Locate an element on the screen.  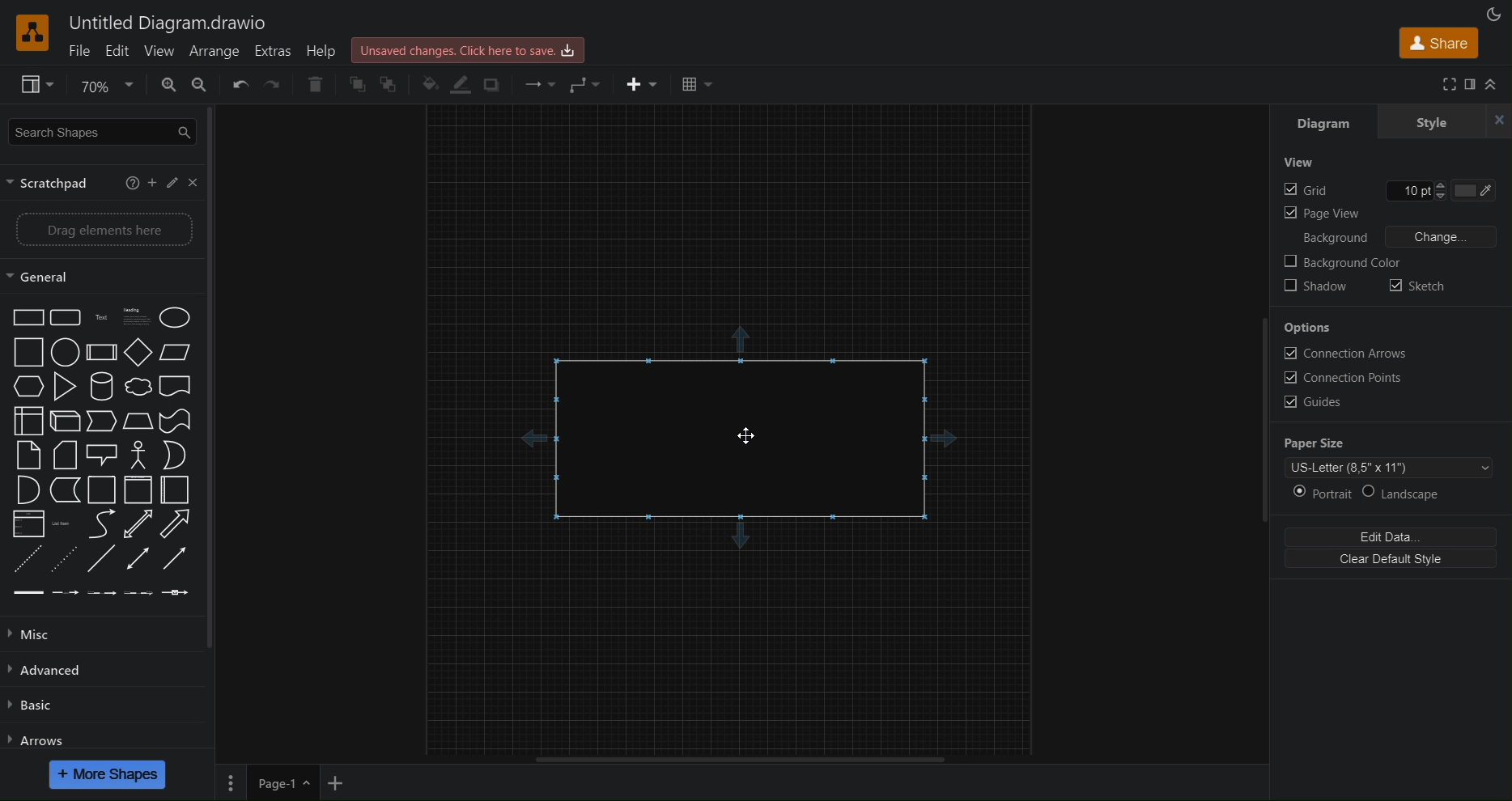
Paper Template is located at coordinates (1391, 469).